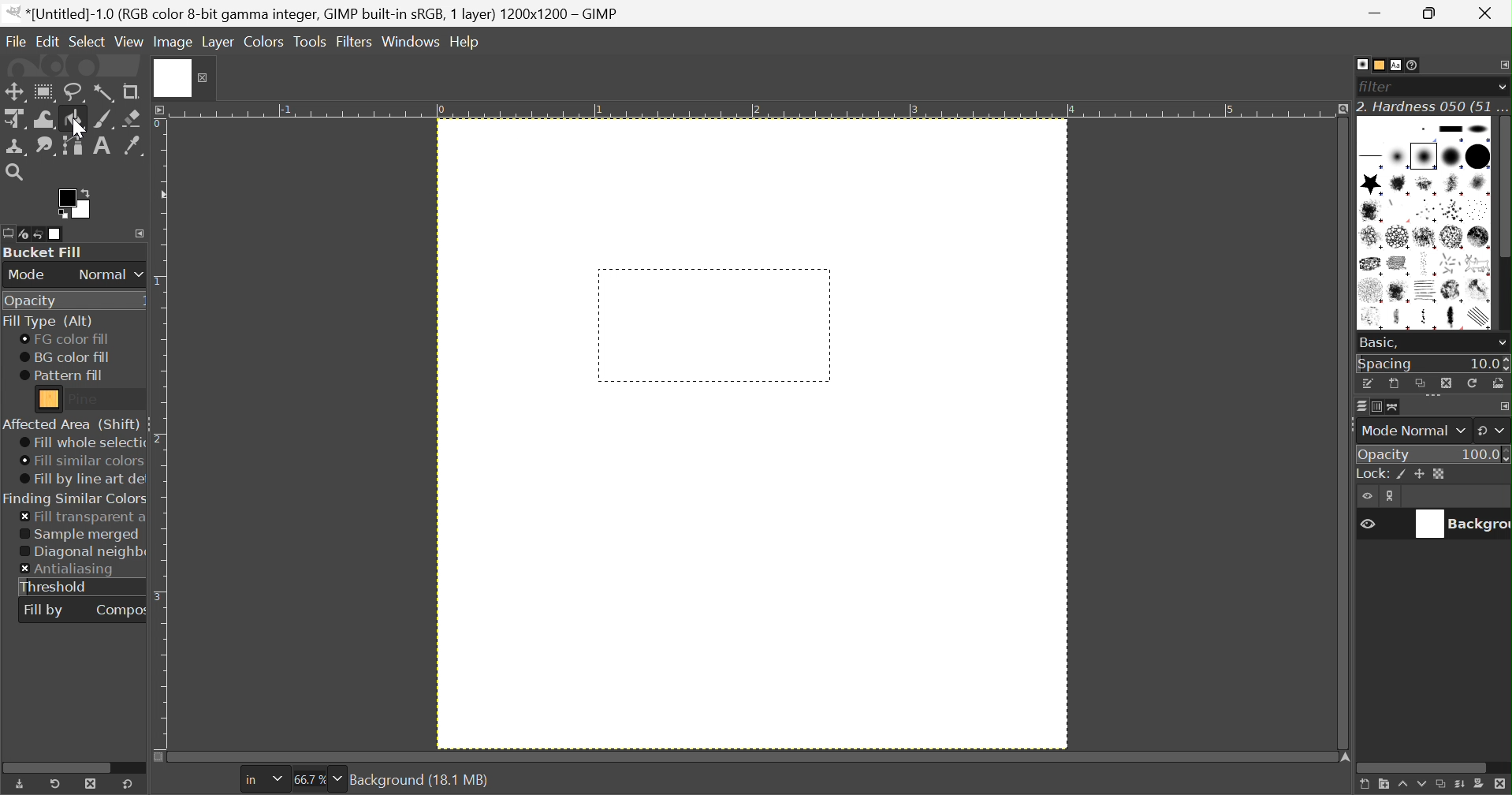 Image resolution: width=1512 pixels, height=795 pixels. What do you see at coordinates (1369, 496) in the screenshot?
I see `Eye` at bounding box center [1369, 496].